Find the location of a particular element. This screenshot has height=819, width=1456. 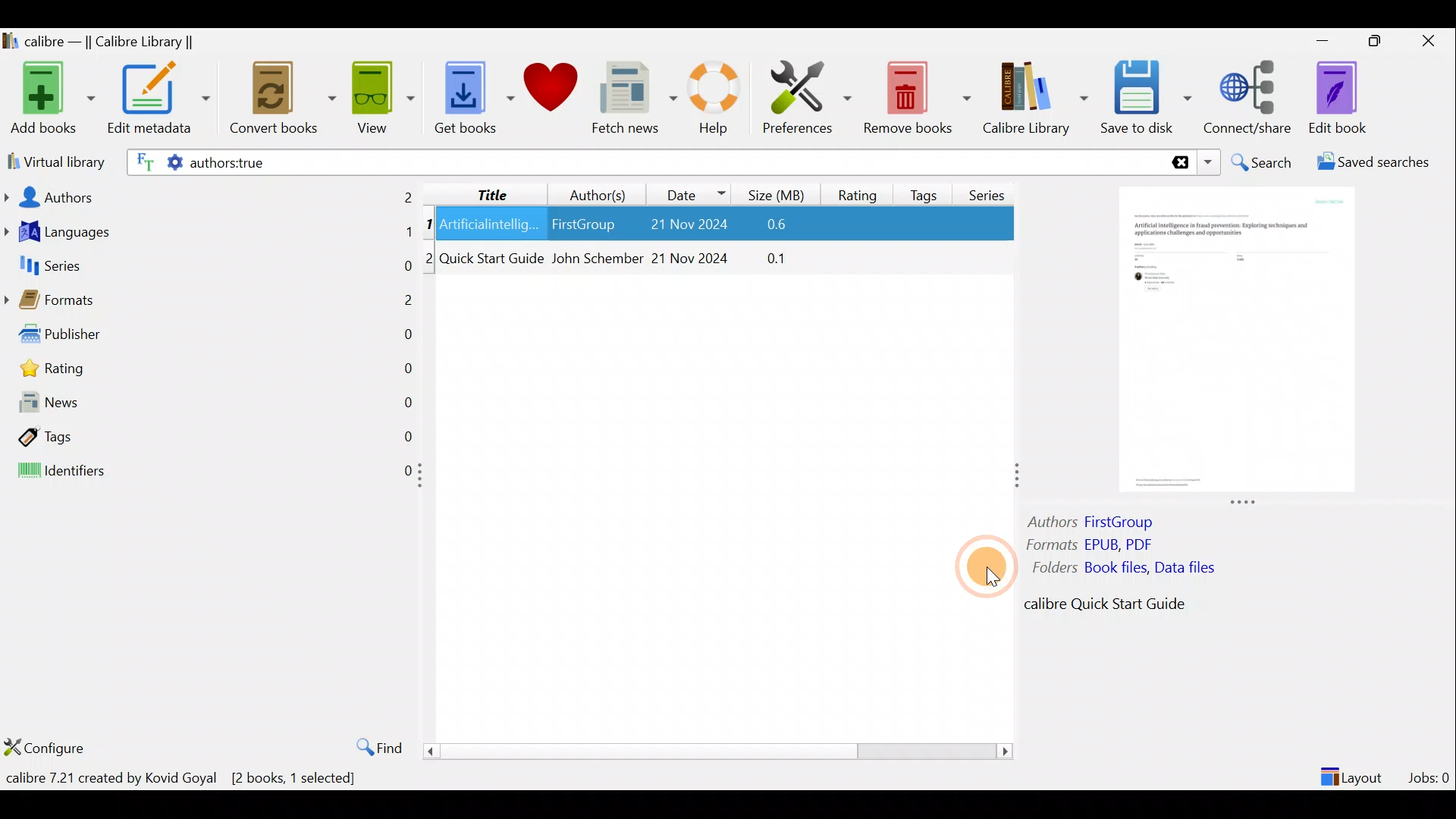

Preferences is located at coordinates (807, 96).